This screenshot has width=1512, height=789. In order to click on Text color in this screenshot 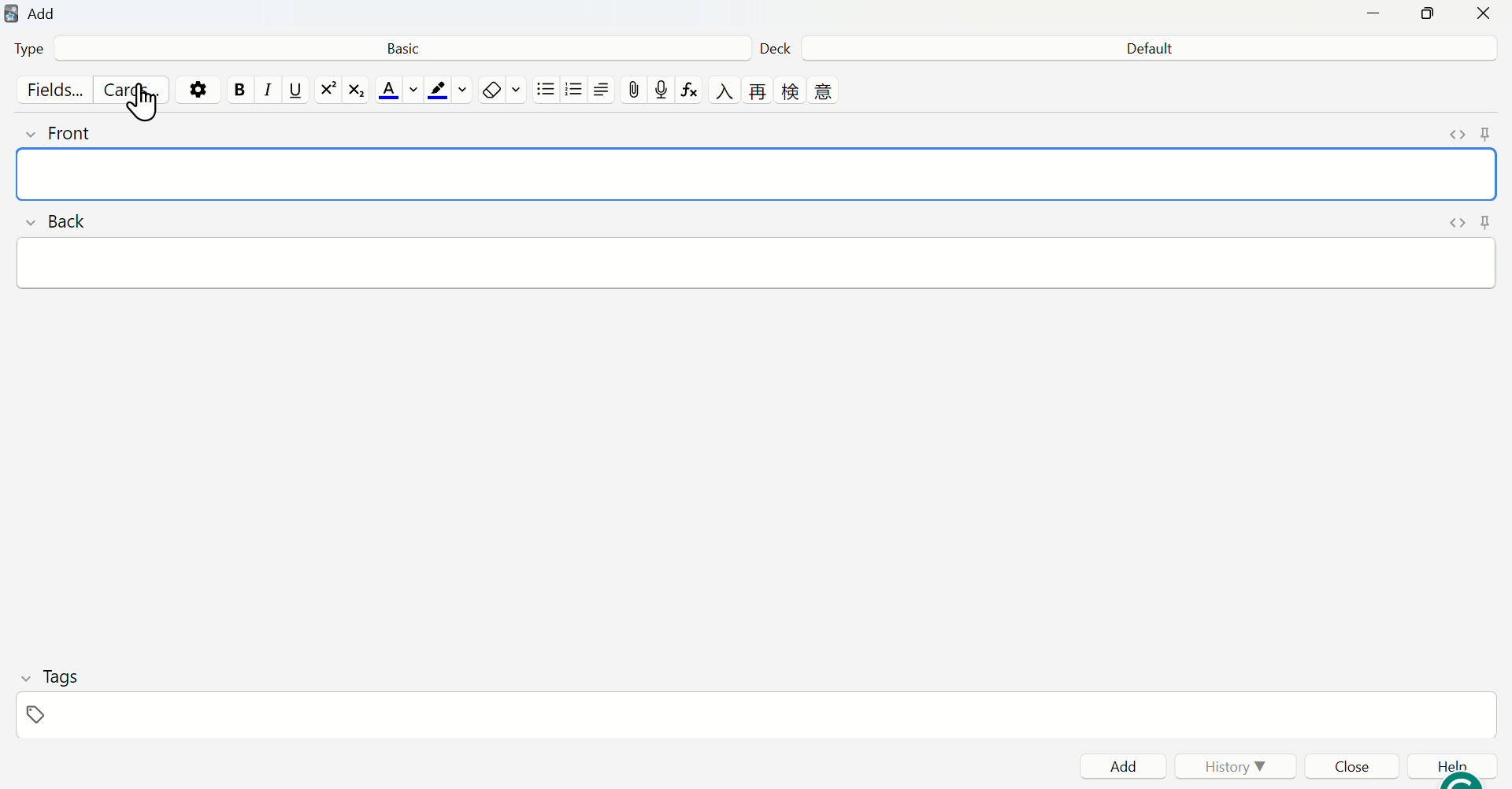, I will do `click(397, 89)`.